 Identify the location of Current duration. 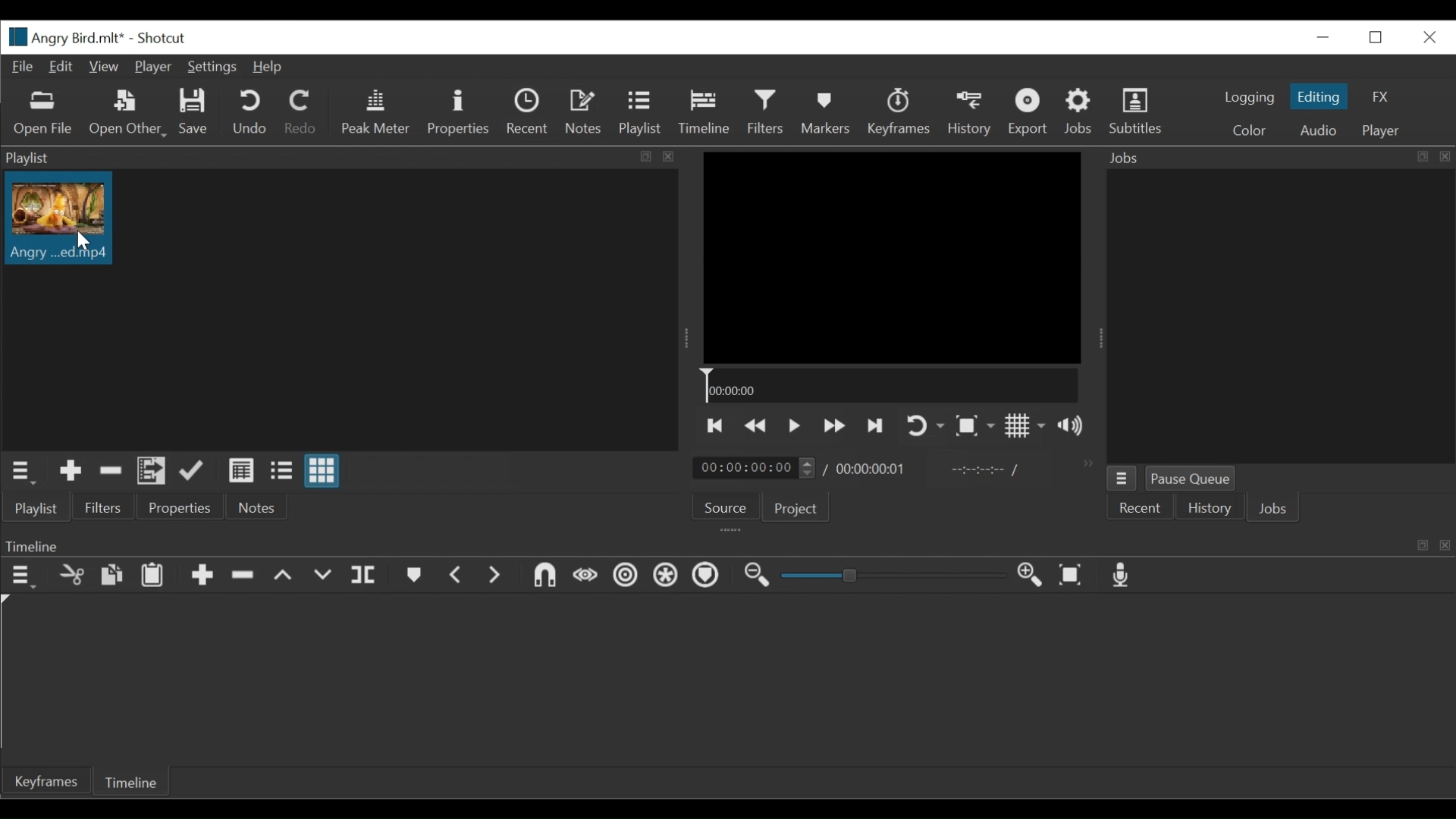
(753, 468).